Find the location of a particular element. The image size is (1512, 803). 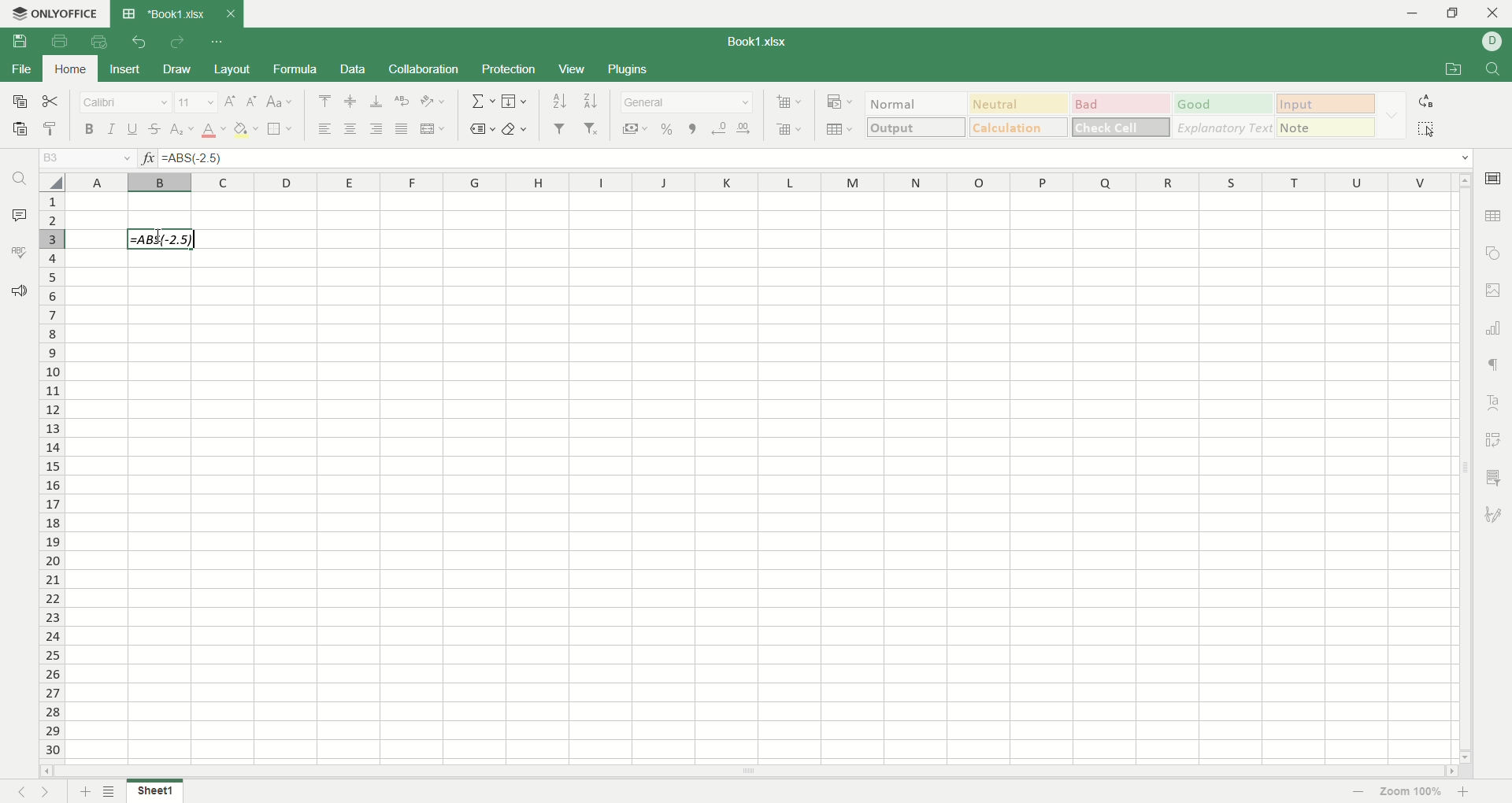

undo is located at coordinates (140, 41).